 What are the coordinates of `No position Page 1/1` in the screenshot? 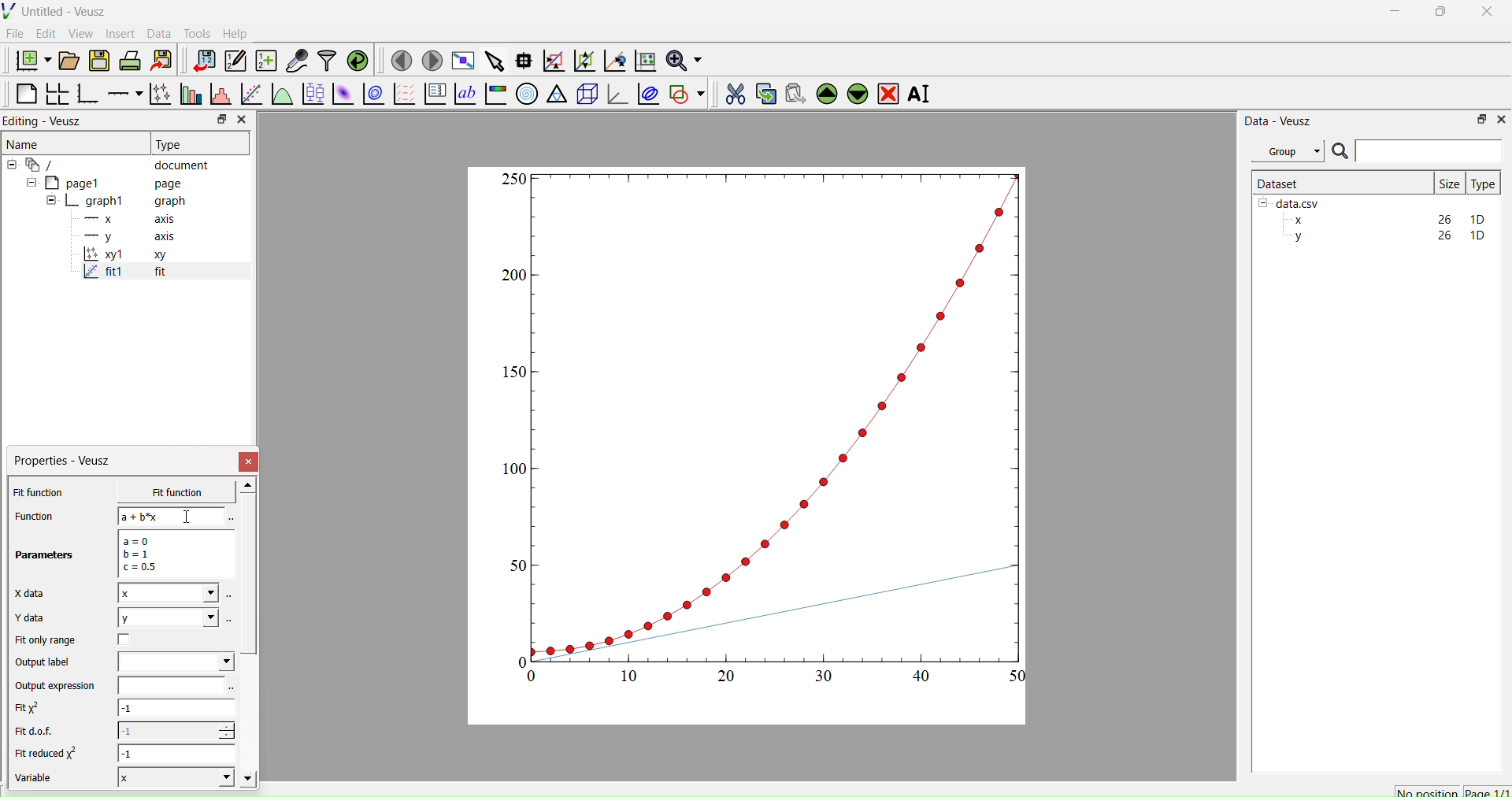 It's located at (1451, 791).